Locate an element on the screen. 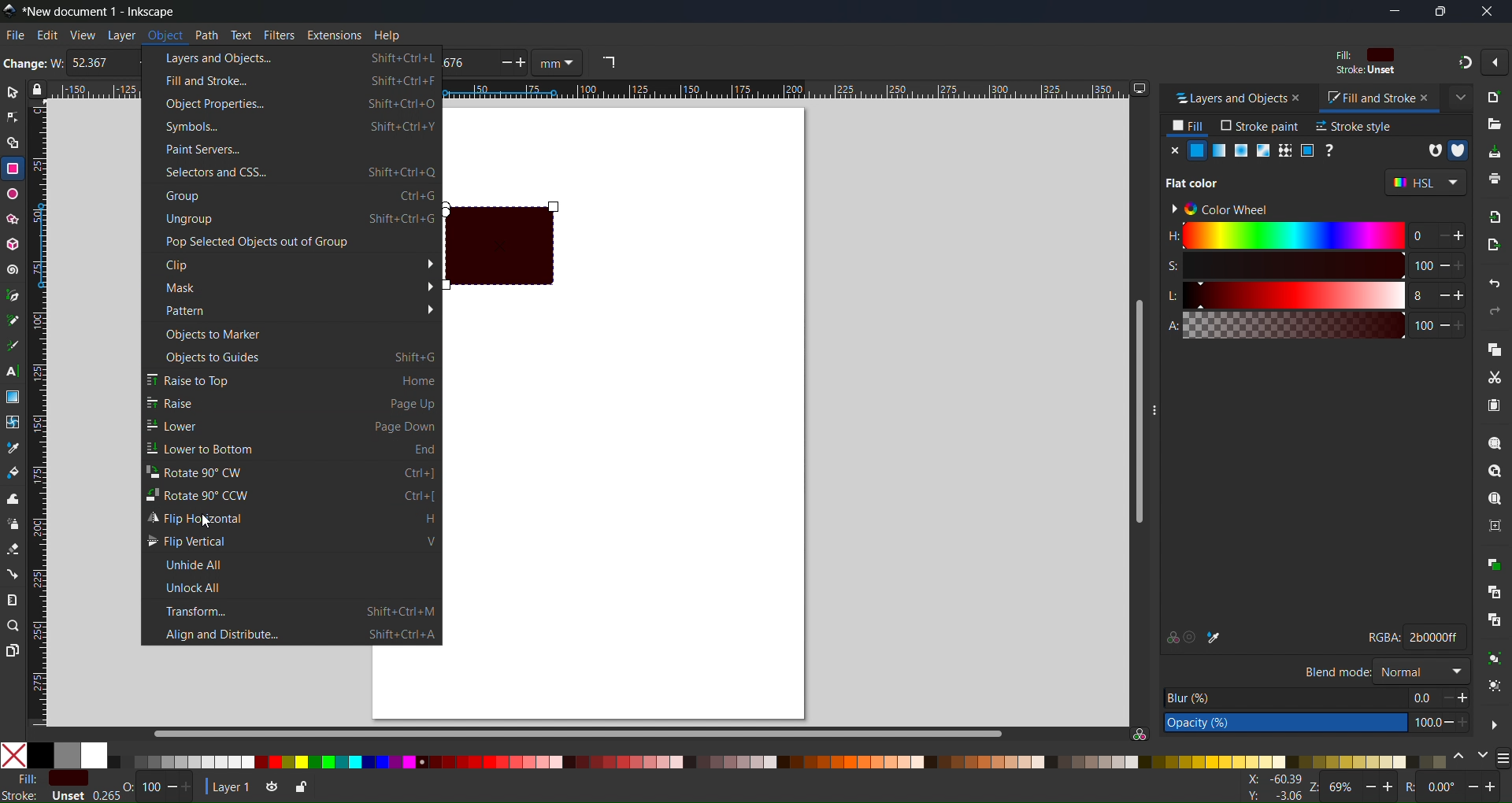  Minimize Rotation is located at coordinates (1474, 786).